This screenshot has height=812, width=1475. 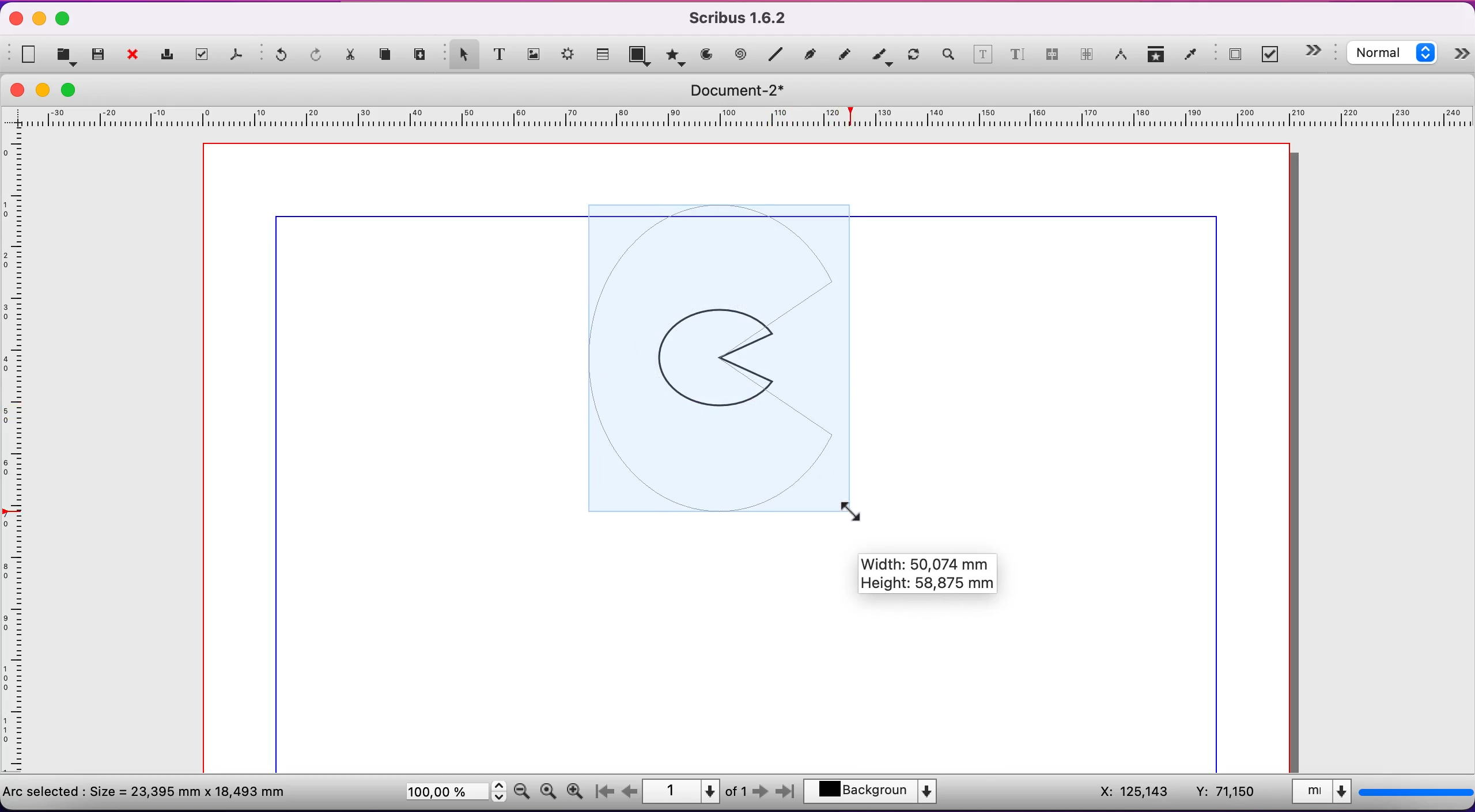 What do you see at coordinates (762, 794) in the screenshot?
I see `go to the next page` at bounding box center [762, 794].